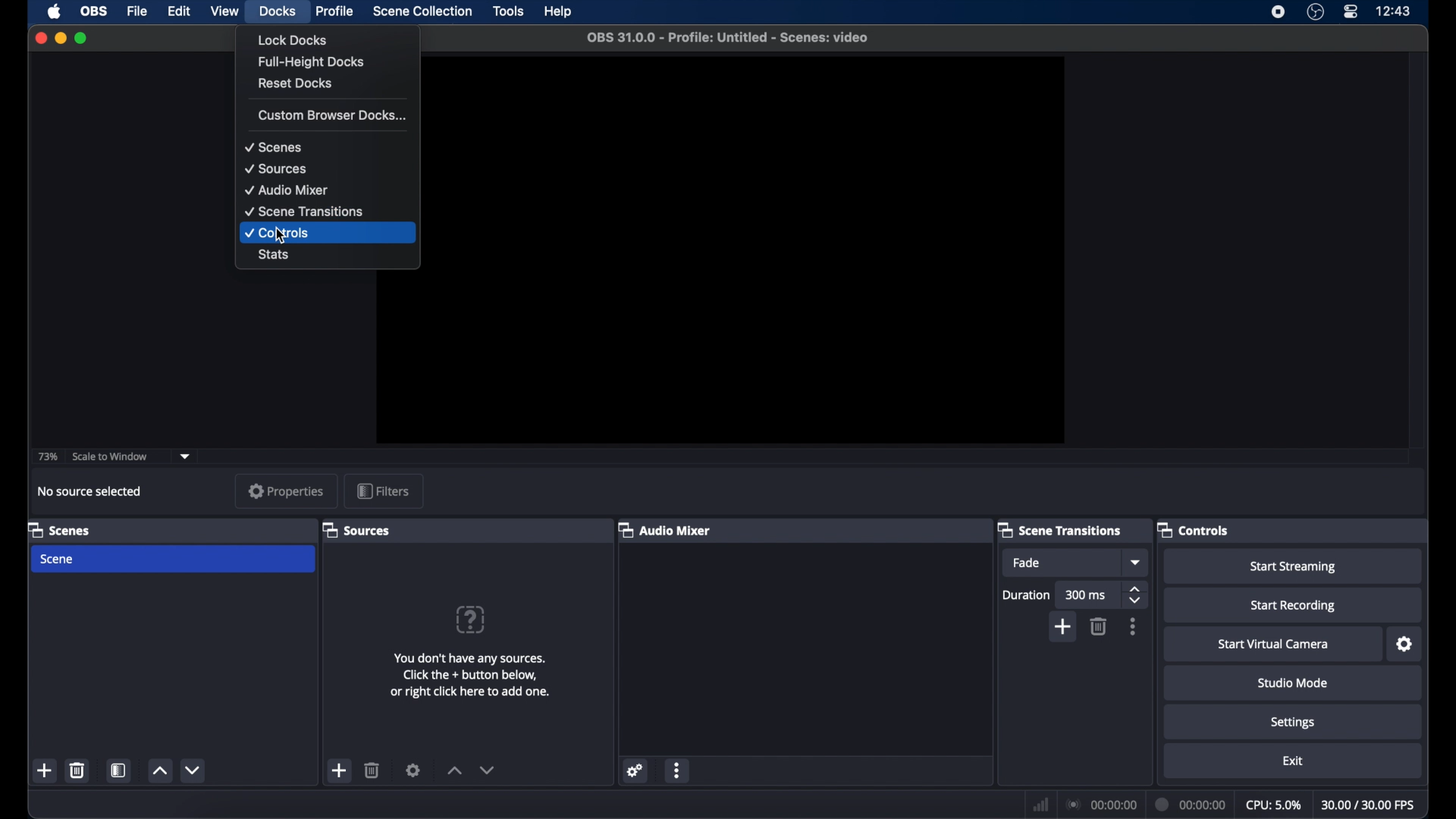 This screenshot has width=1456, height=819. I want to click on duration, so click(1191, 804).